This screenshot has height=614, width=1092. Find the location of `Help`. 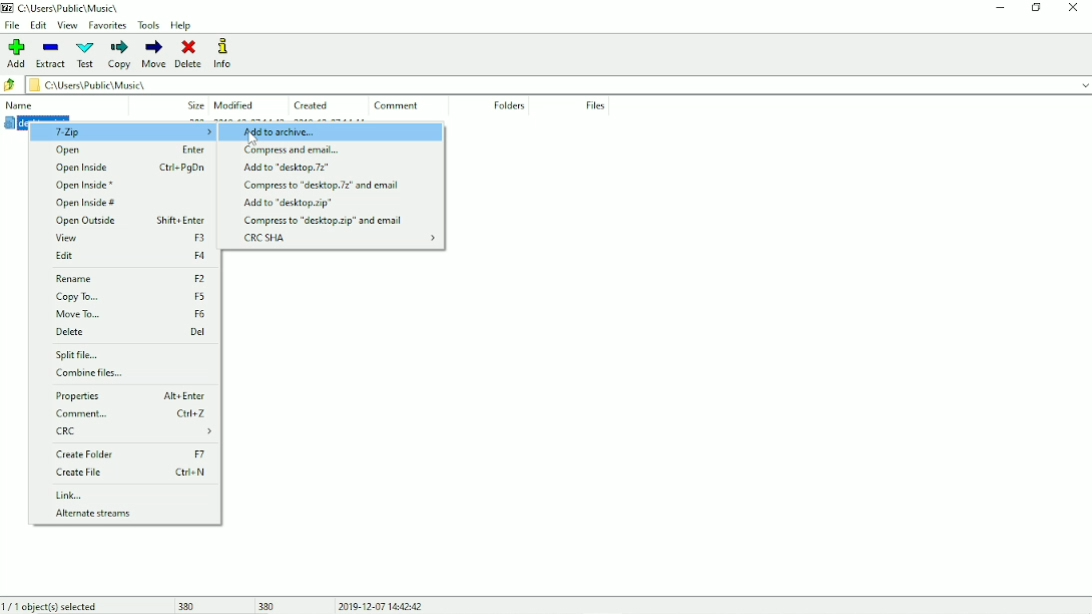

Help is located at coordinates (182, 25).